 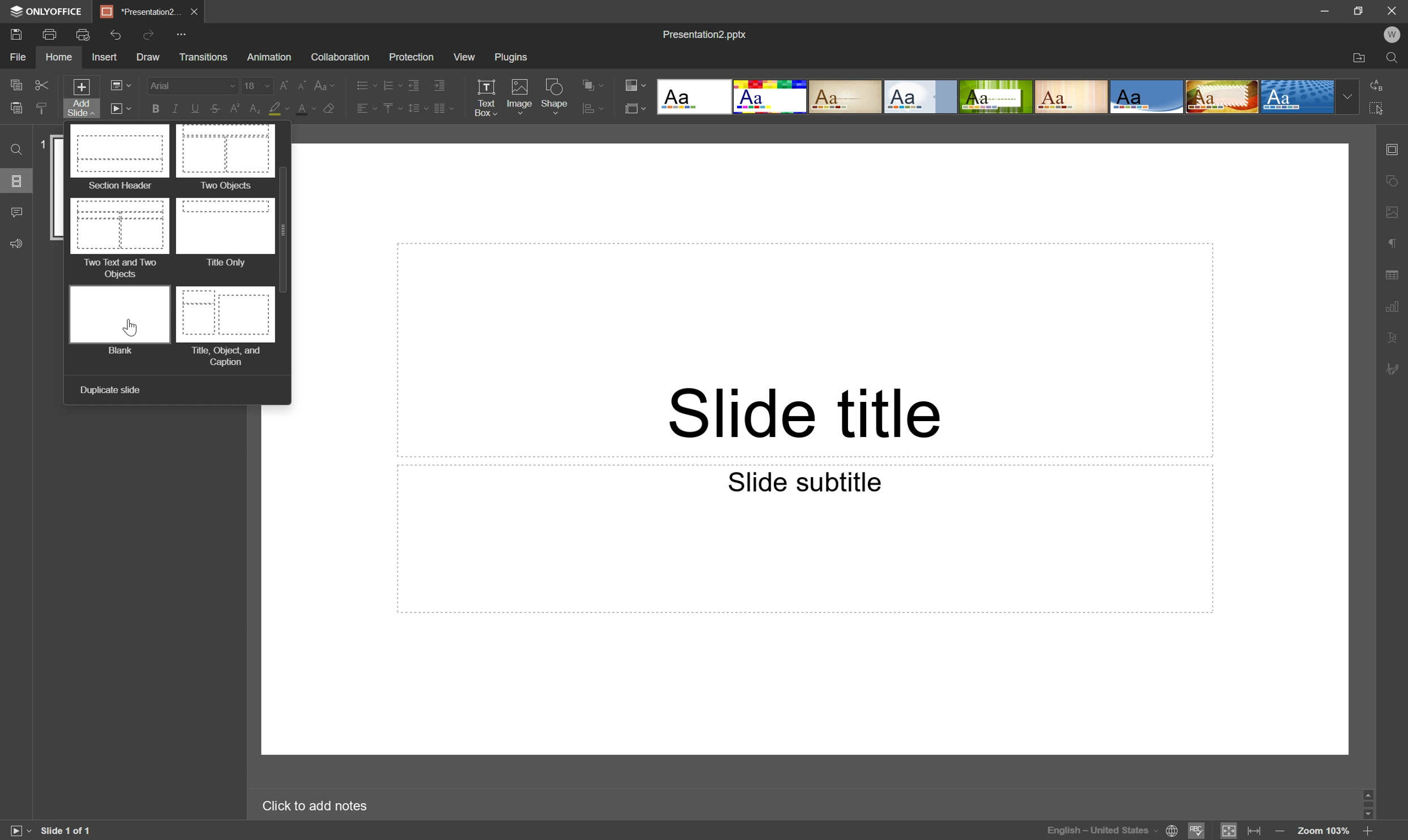 I want to click on Highlight color, so click(x=280, y=109).